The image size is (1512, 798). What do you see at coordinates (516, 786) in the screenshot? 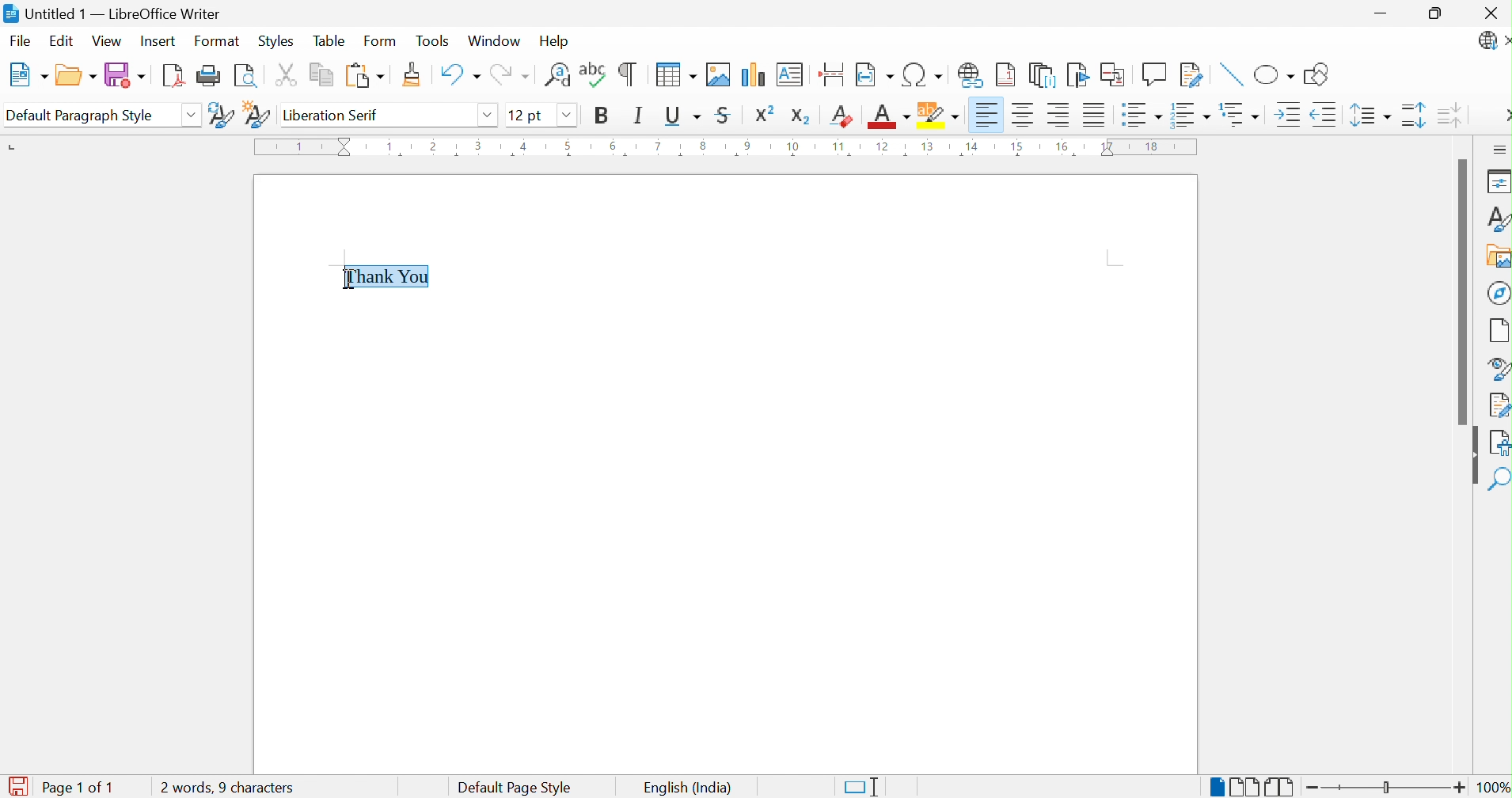
I see `Default Page Style` at bounding box center [516, 786].